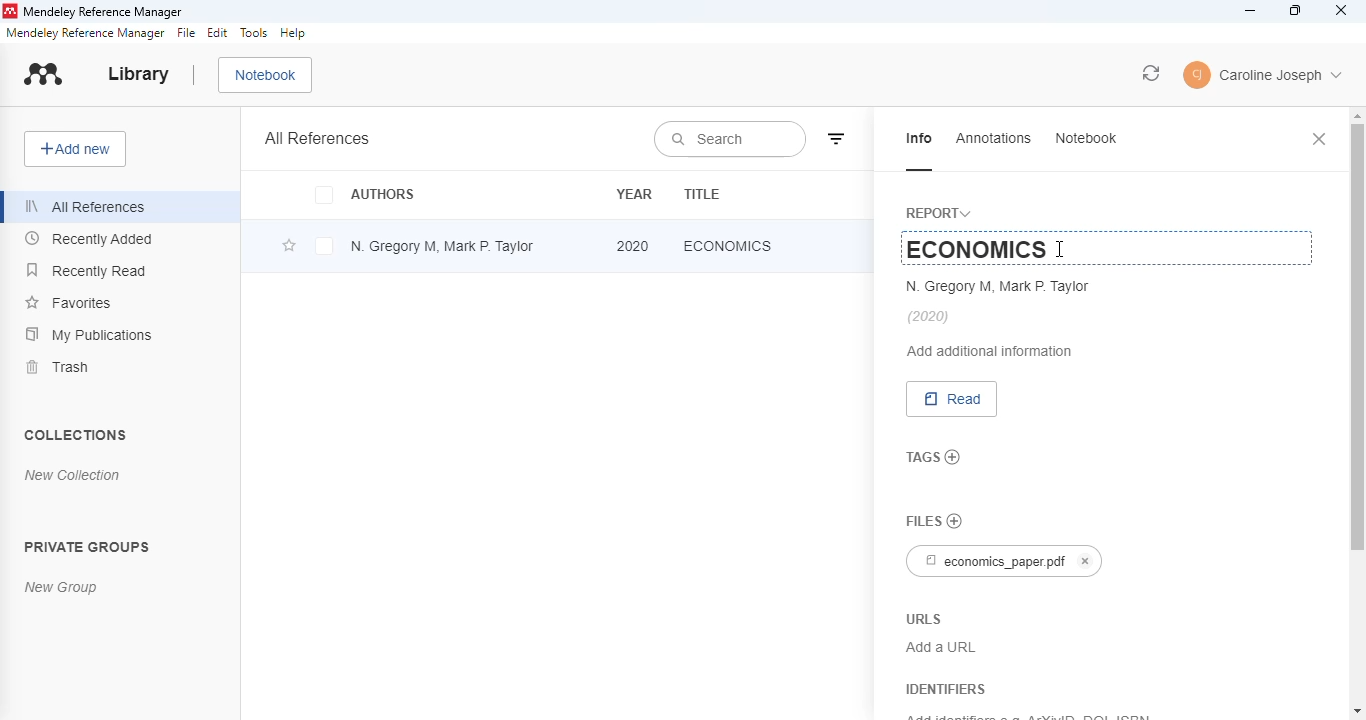 The width and height of the screenshot is (1366, 720). Describe the element at coordinates (1087, 561) in the screenshot. I see `cancel` at that location.